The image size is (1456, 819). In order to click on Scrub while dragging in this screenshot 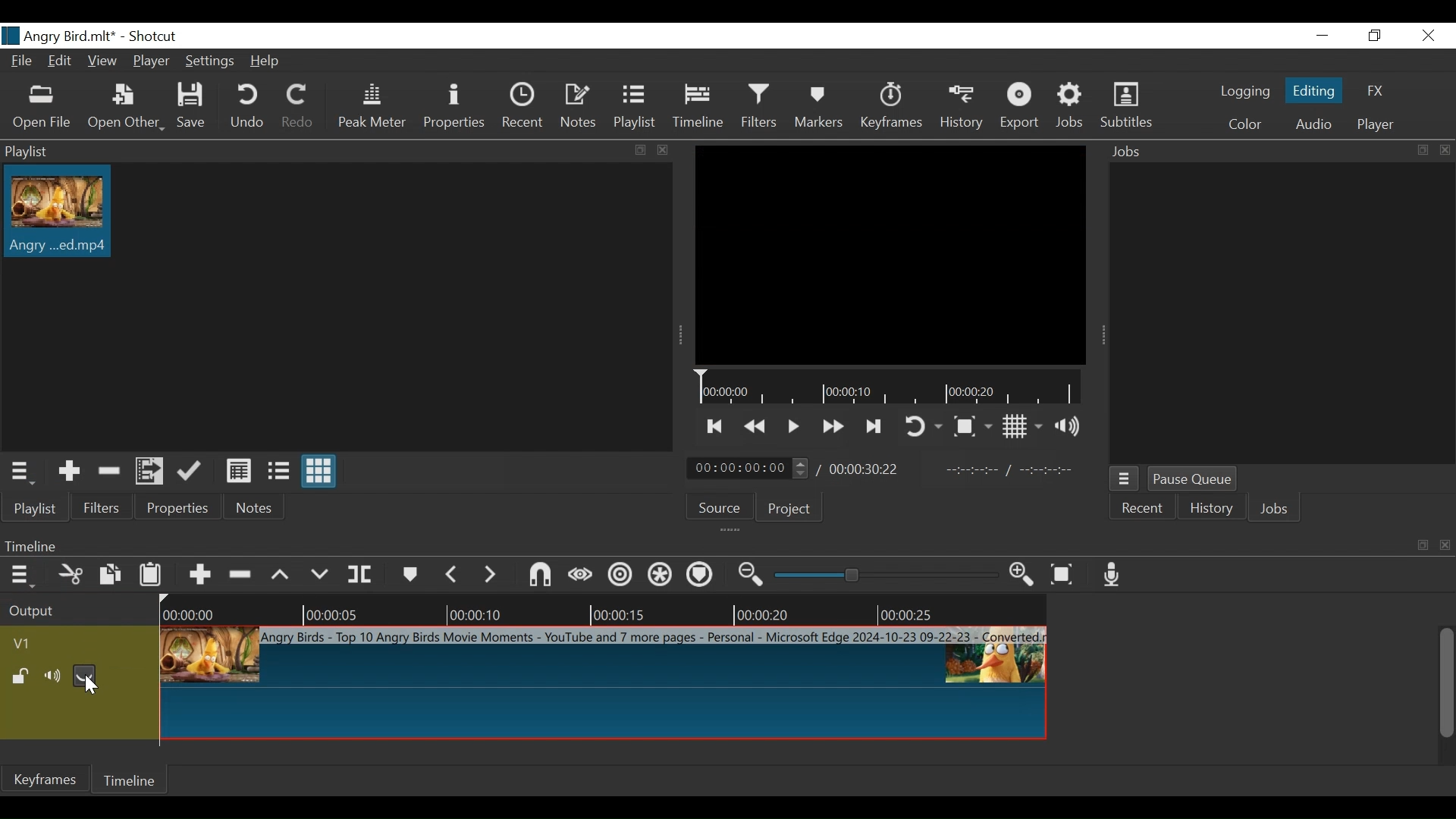, I will do `click(581, 576)`.